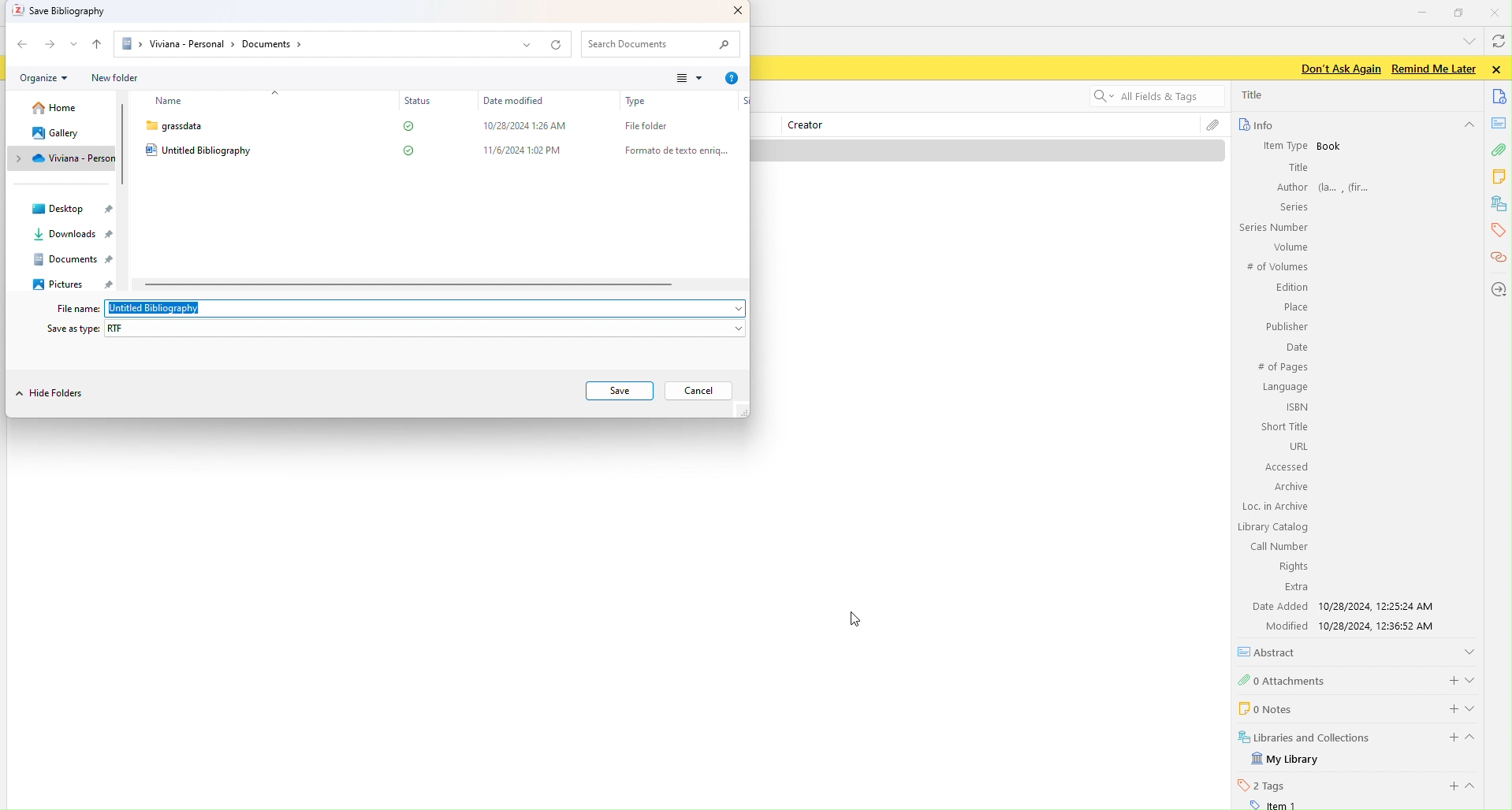 The image size is (1512, 810). I want to click on Author, so click(1290, 187).